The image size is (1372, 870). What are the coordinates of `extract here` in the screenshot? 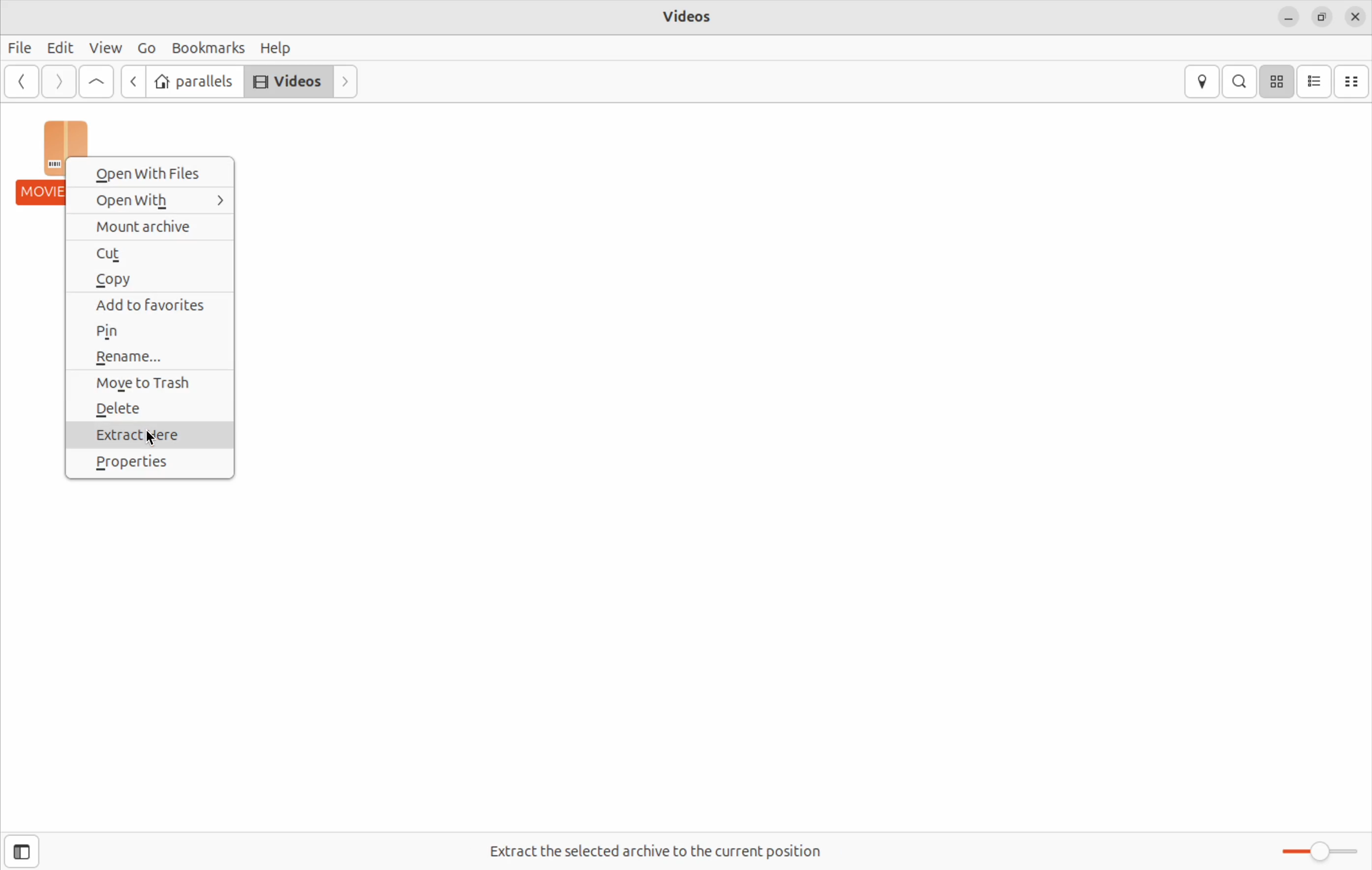 It's located at (150, 435).